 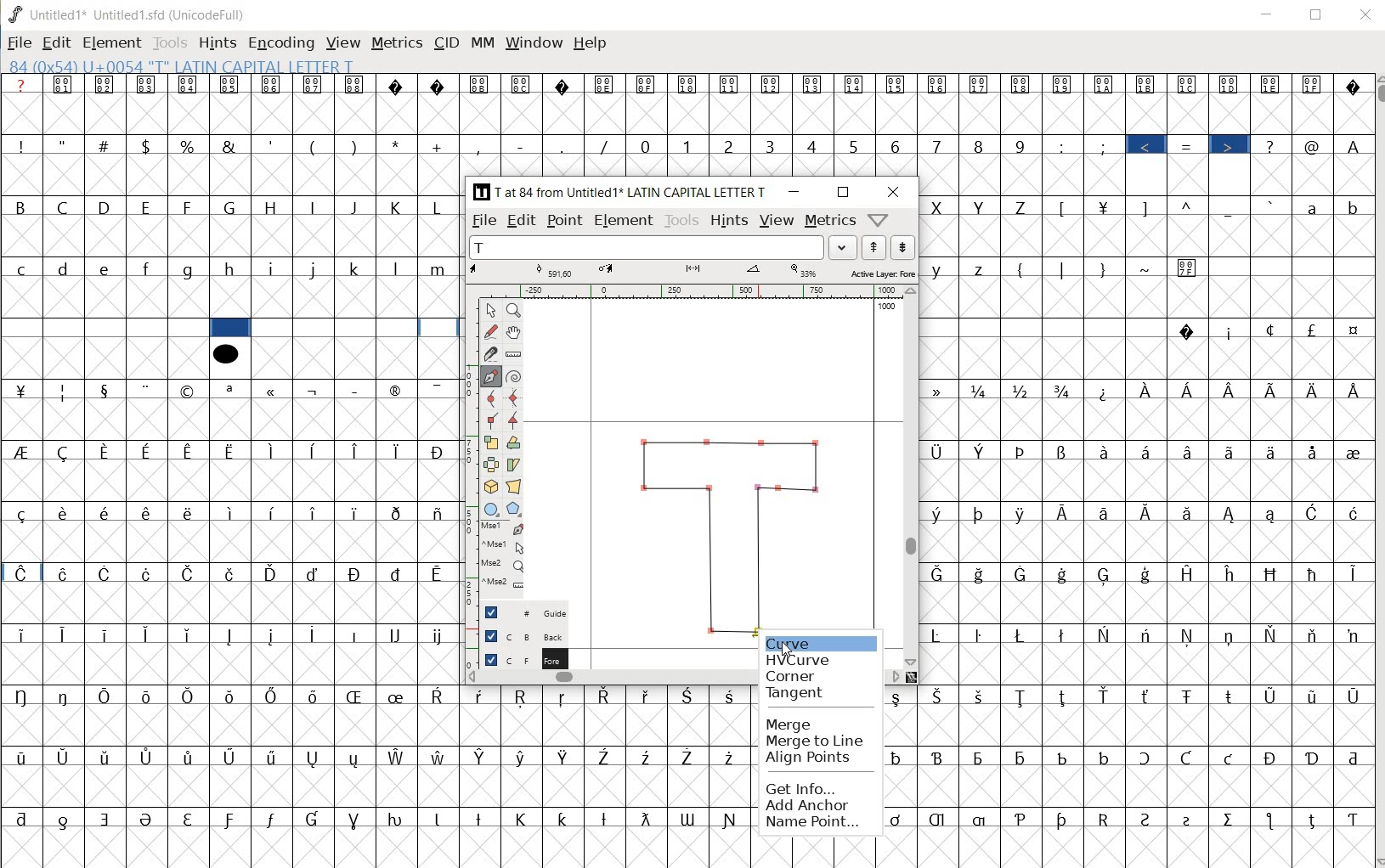 What do you see at coordinates (232, 512) in the screenshot?
I see `Symbol` at bounding box center [232, 512].